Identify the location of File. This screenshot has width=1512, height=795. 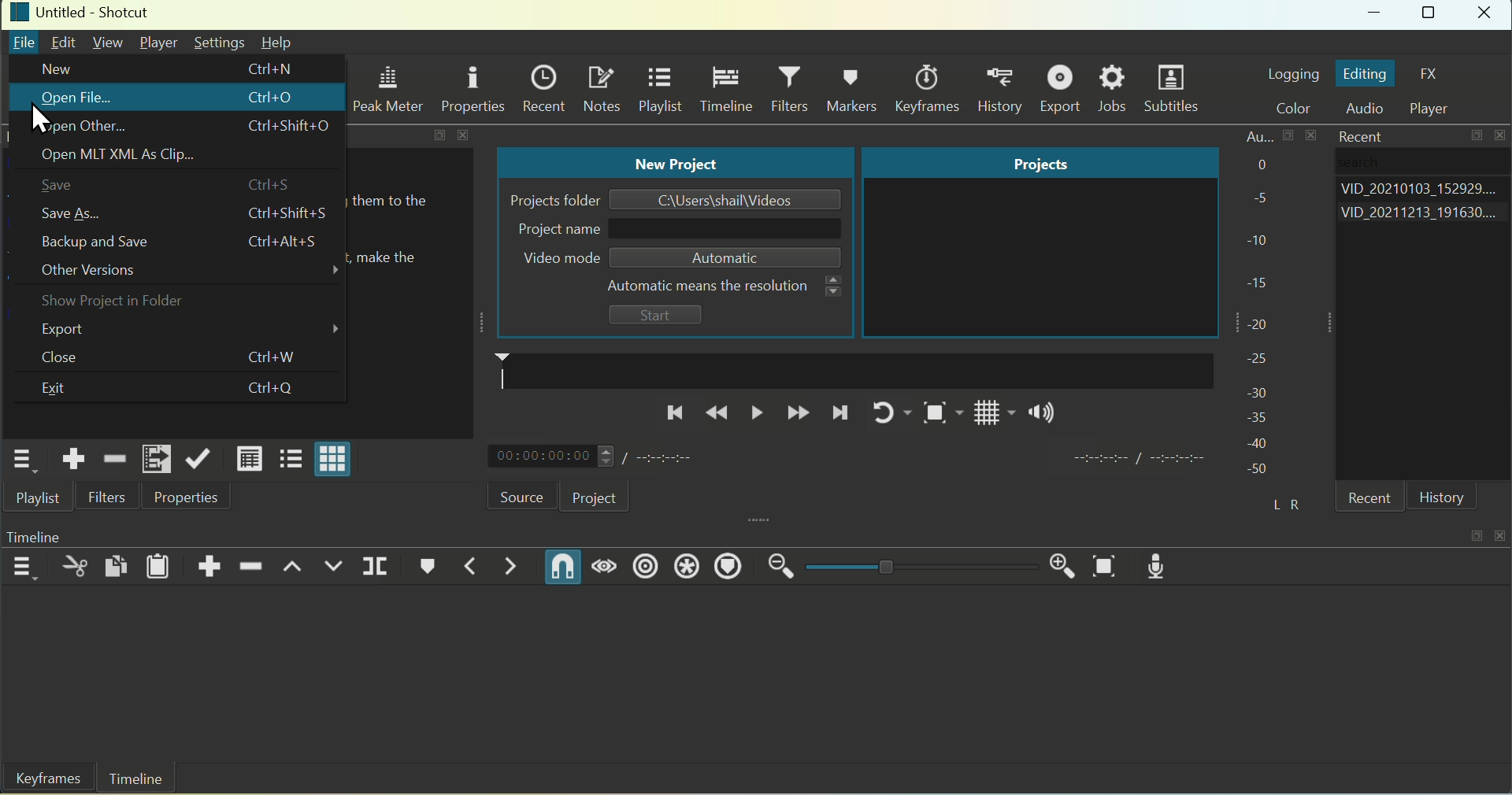
(24, 44).